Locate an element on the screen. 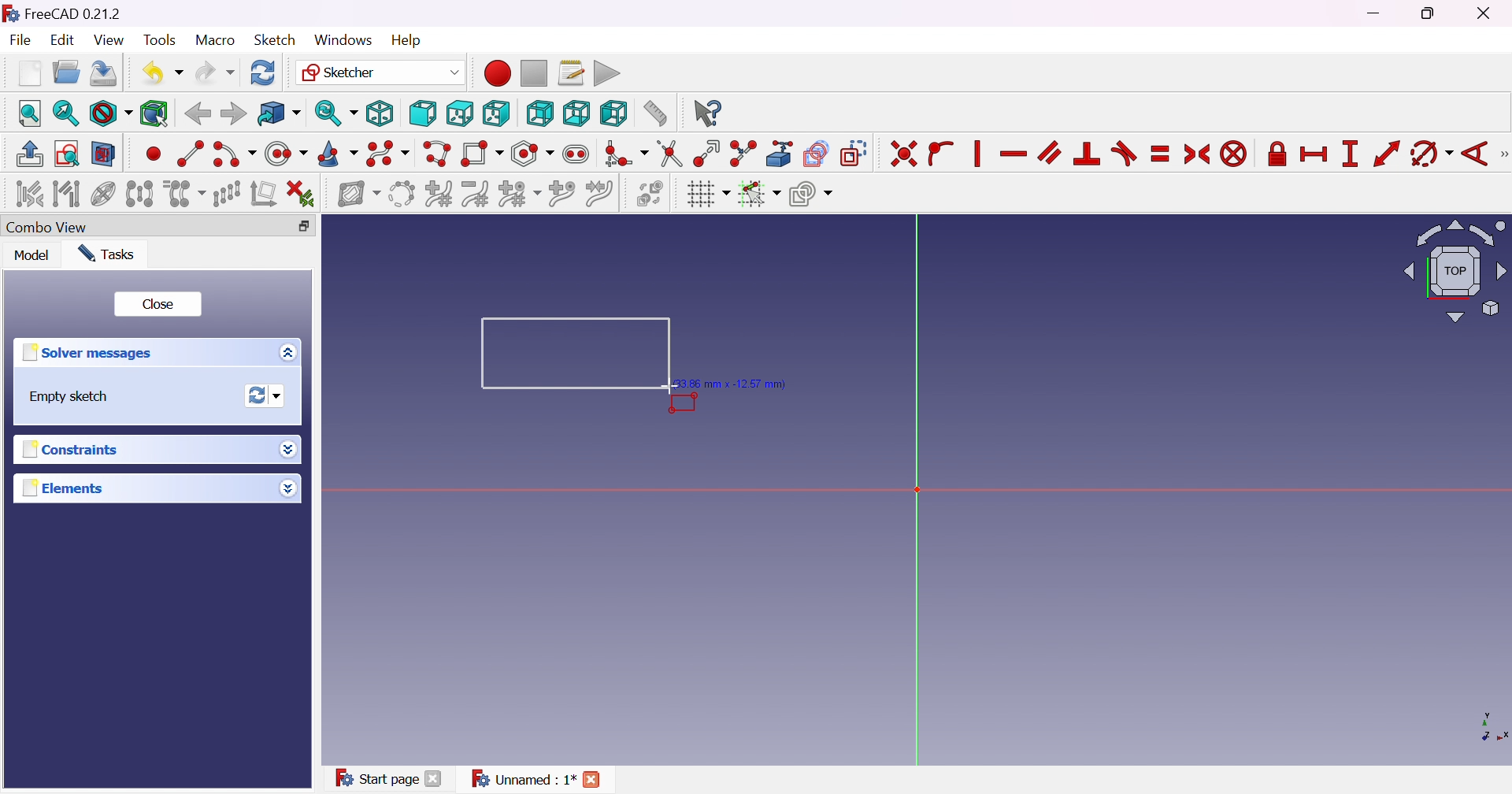  Constrain parallel is located at coordinates (1051, 153).